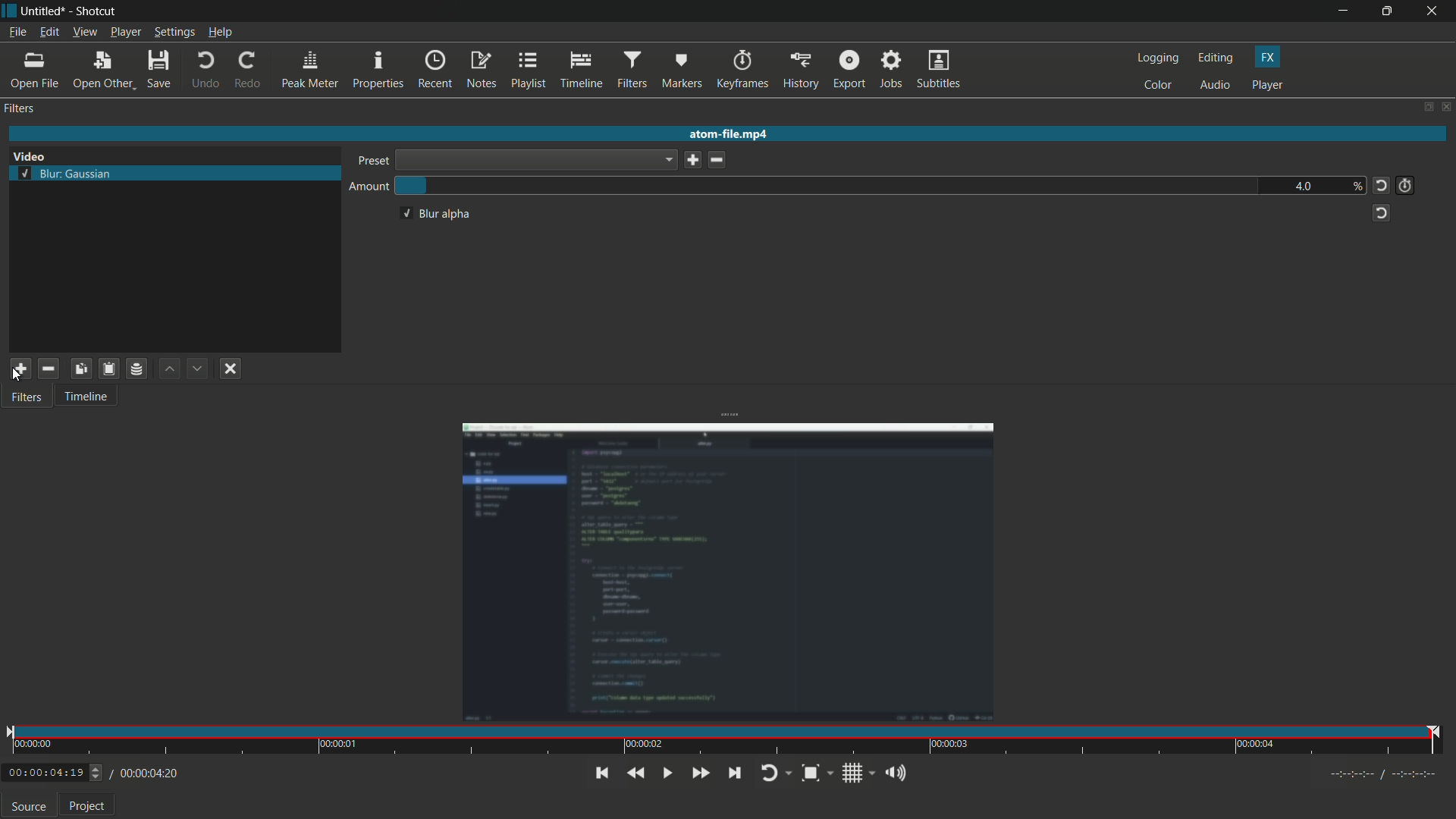 The image size is (1456, 819). I want to click on cursor, so click(16, 377).